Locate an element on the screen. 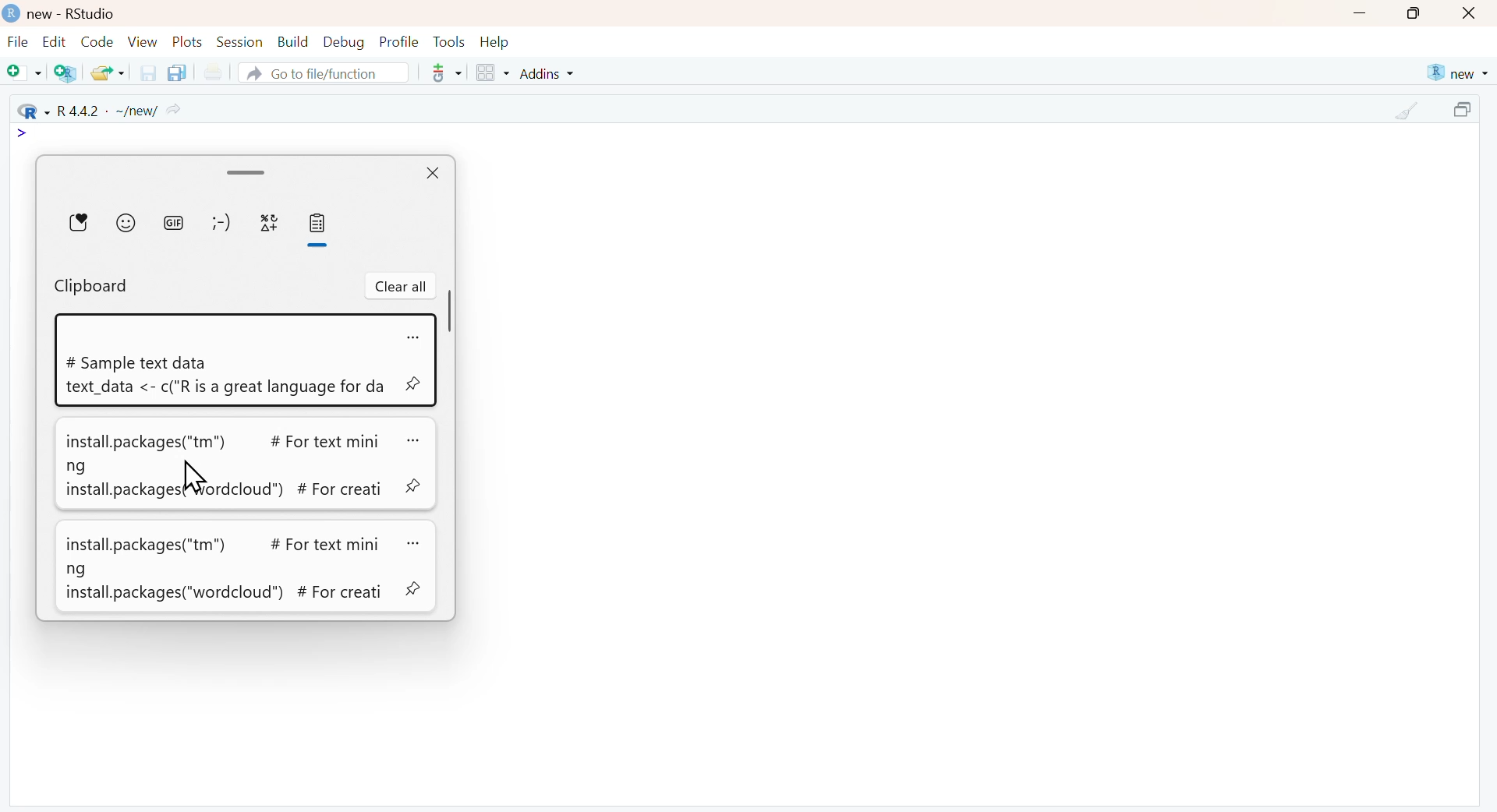 This screenshot has height=812, width=1497. more options is located at coordinates (416, 440).